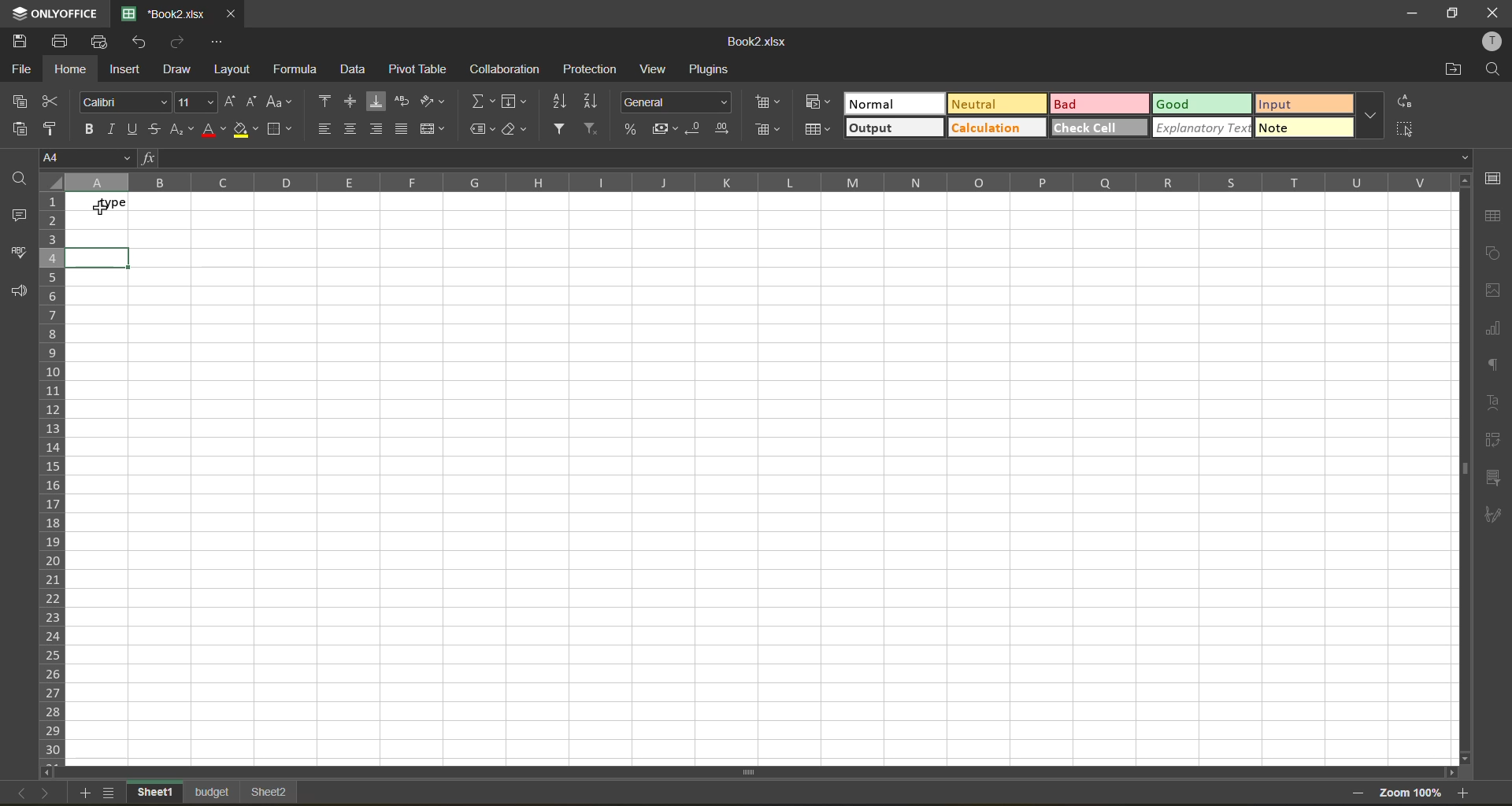  Describe the element at coordinates (661, 130) in the screenshot. I see `accounting` at that location.